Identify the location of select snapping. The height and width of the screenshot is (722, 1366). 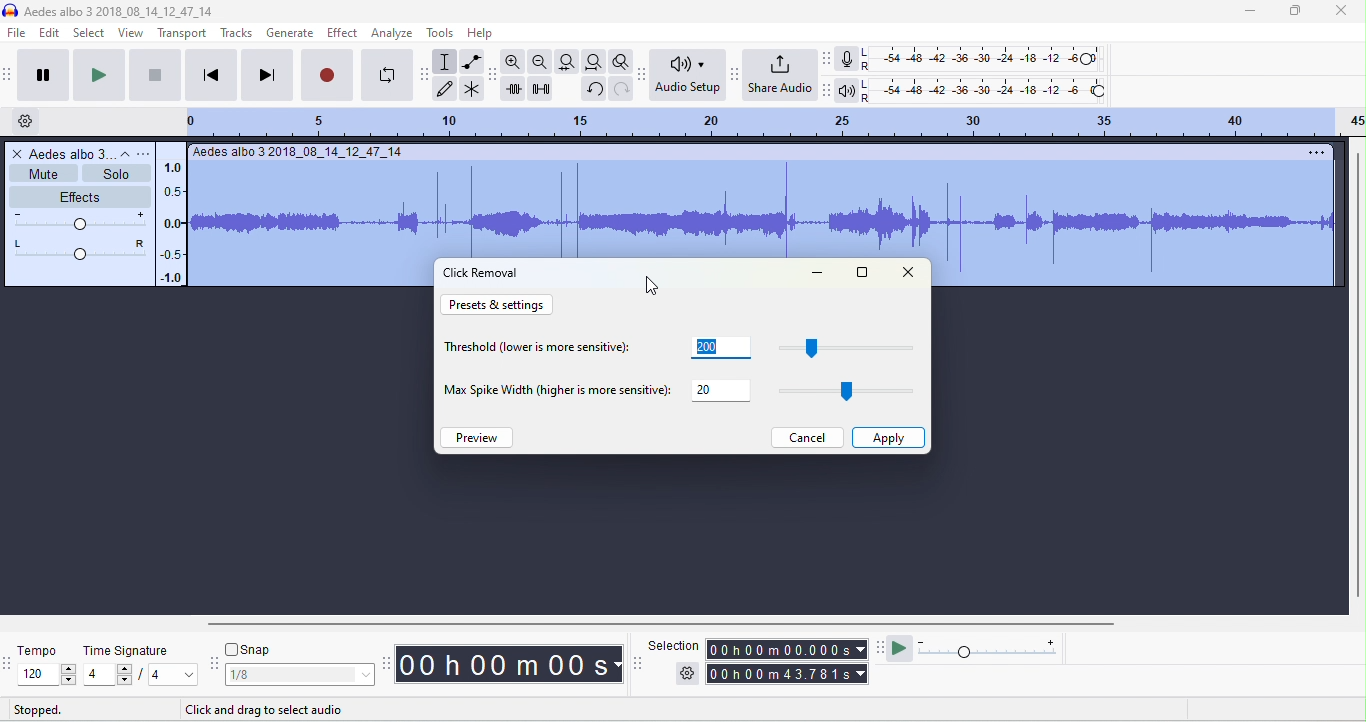
(299, 673).